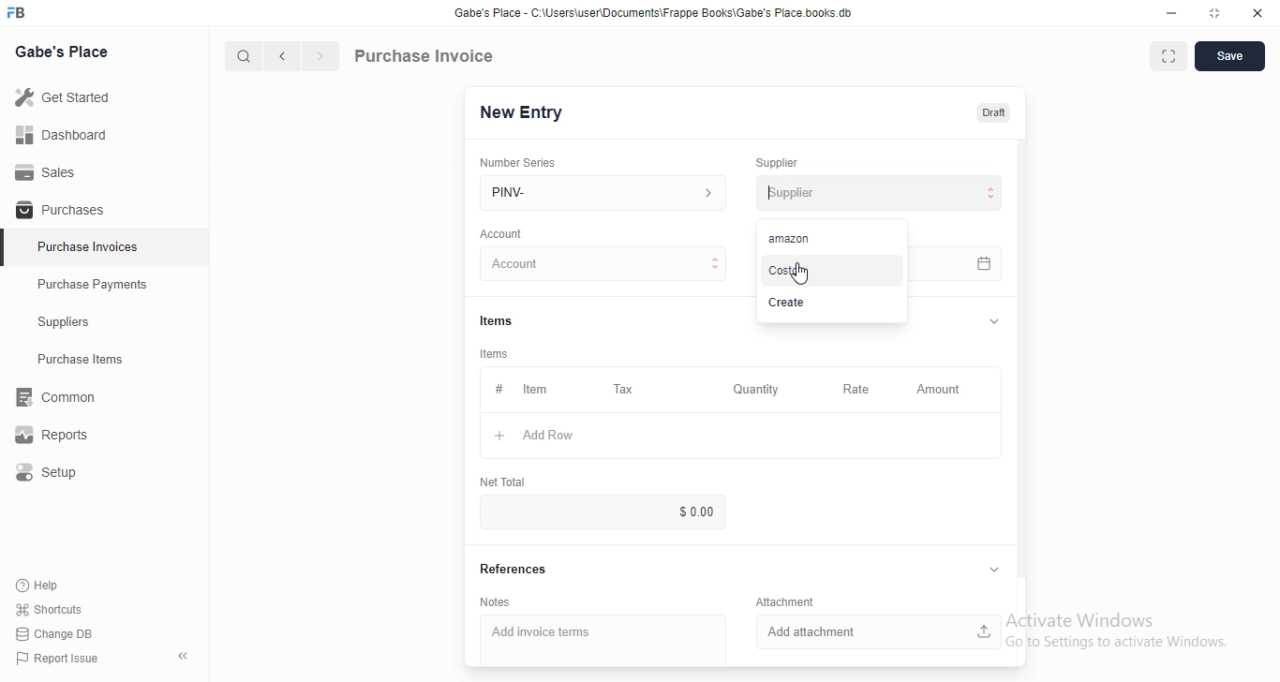 Image resolution: width=1280 pixels, height=682 pixels. I want to click on Account, so click(501, 234).